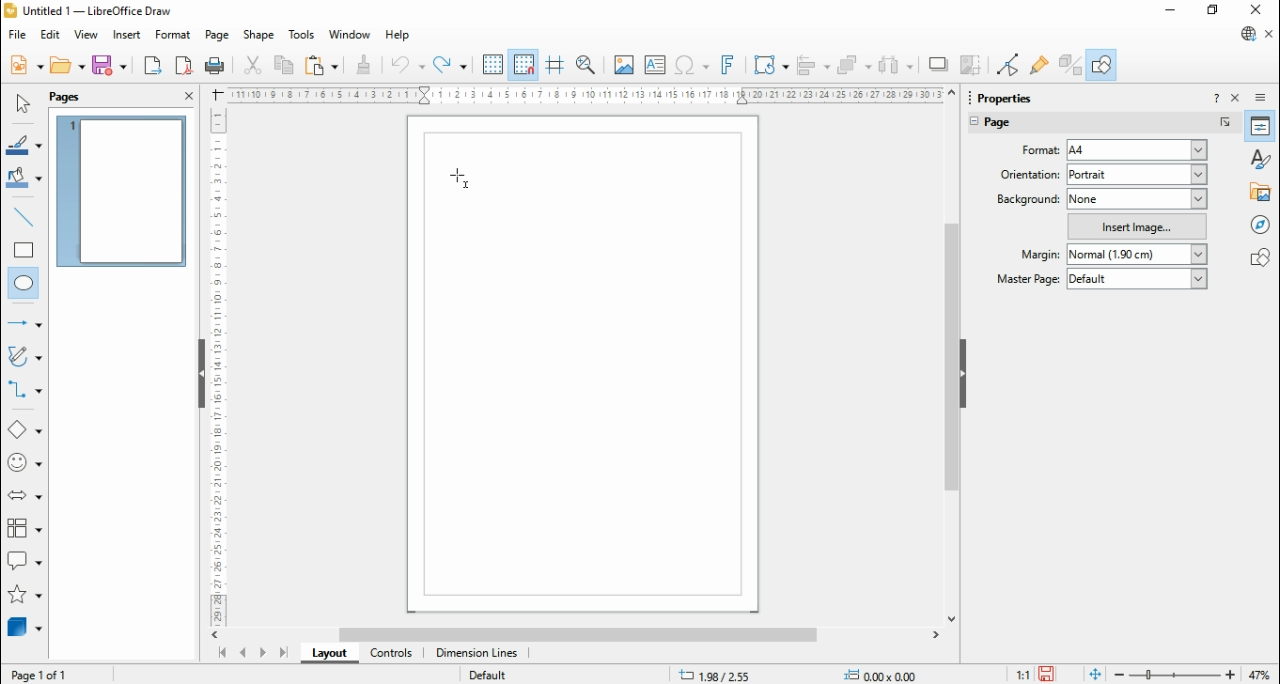 This screenshot has width=1280, height=684. I want to click on 3D Objects, so click(23, 627).